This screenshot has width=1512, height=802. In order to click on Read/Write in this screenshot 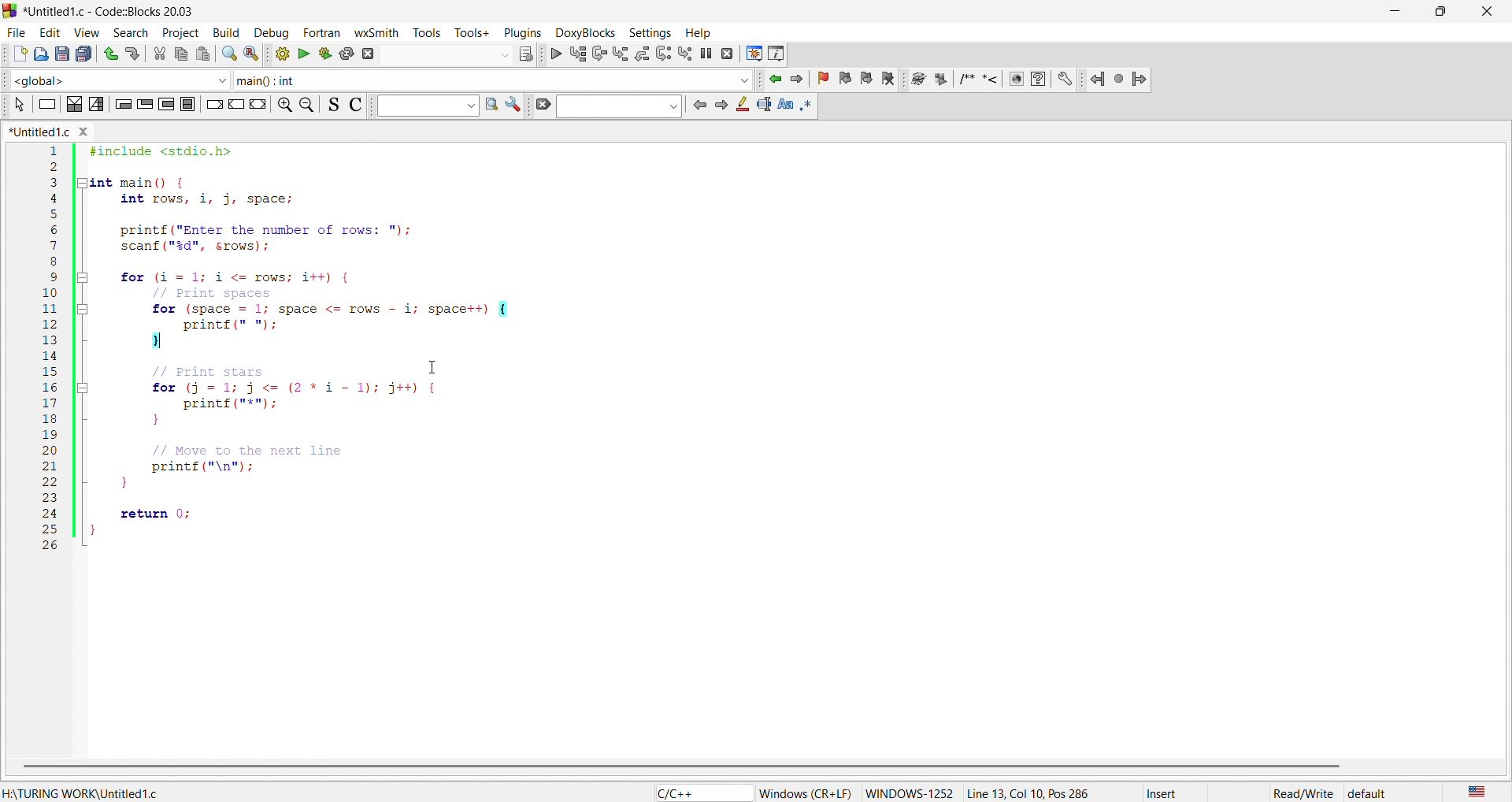, I will do `click(1303, 793)`.